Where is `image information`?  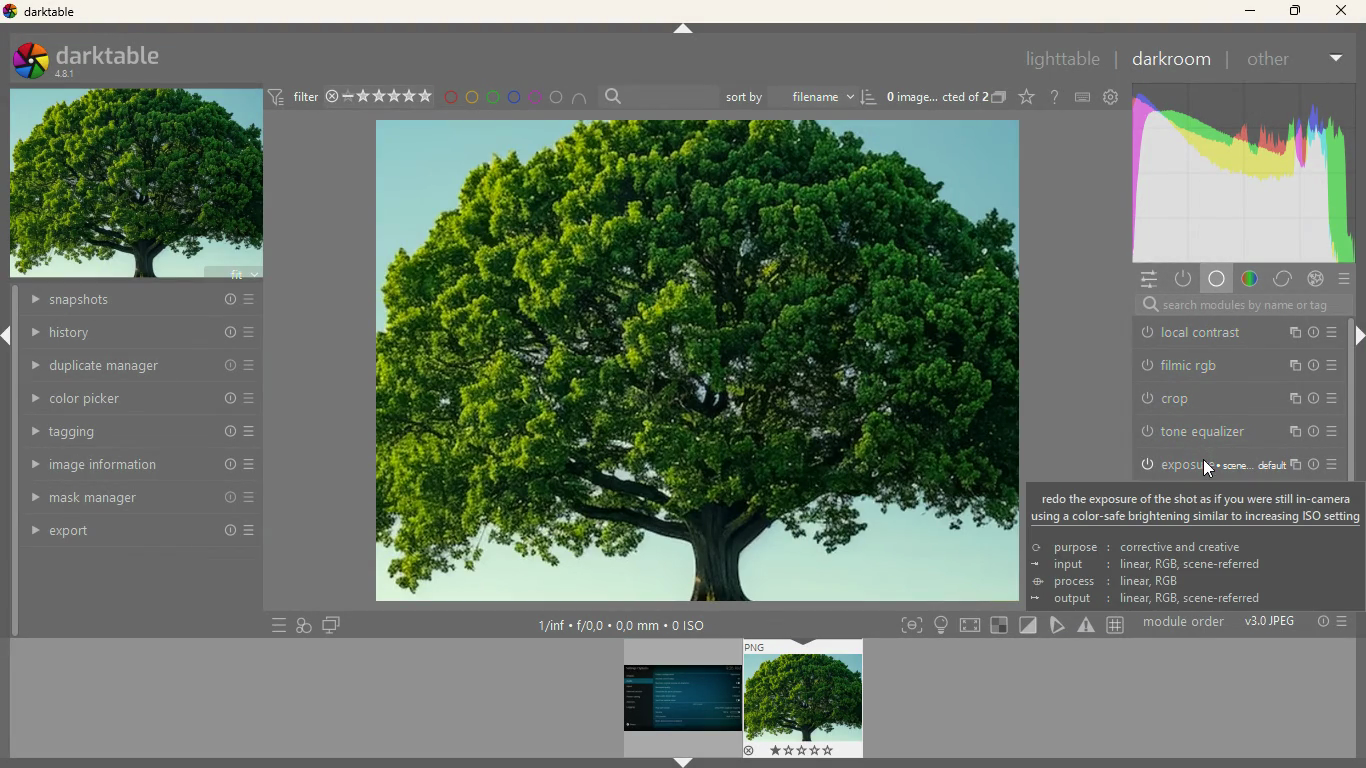 image information is located at coordinates (139, 466).